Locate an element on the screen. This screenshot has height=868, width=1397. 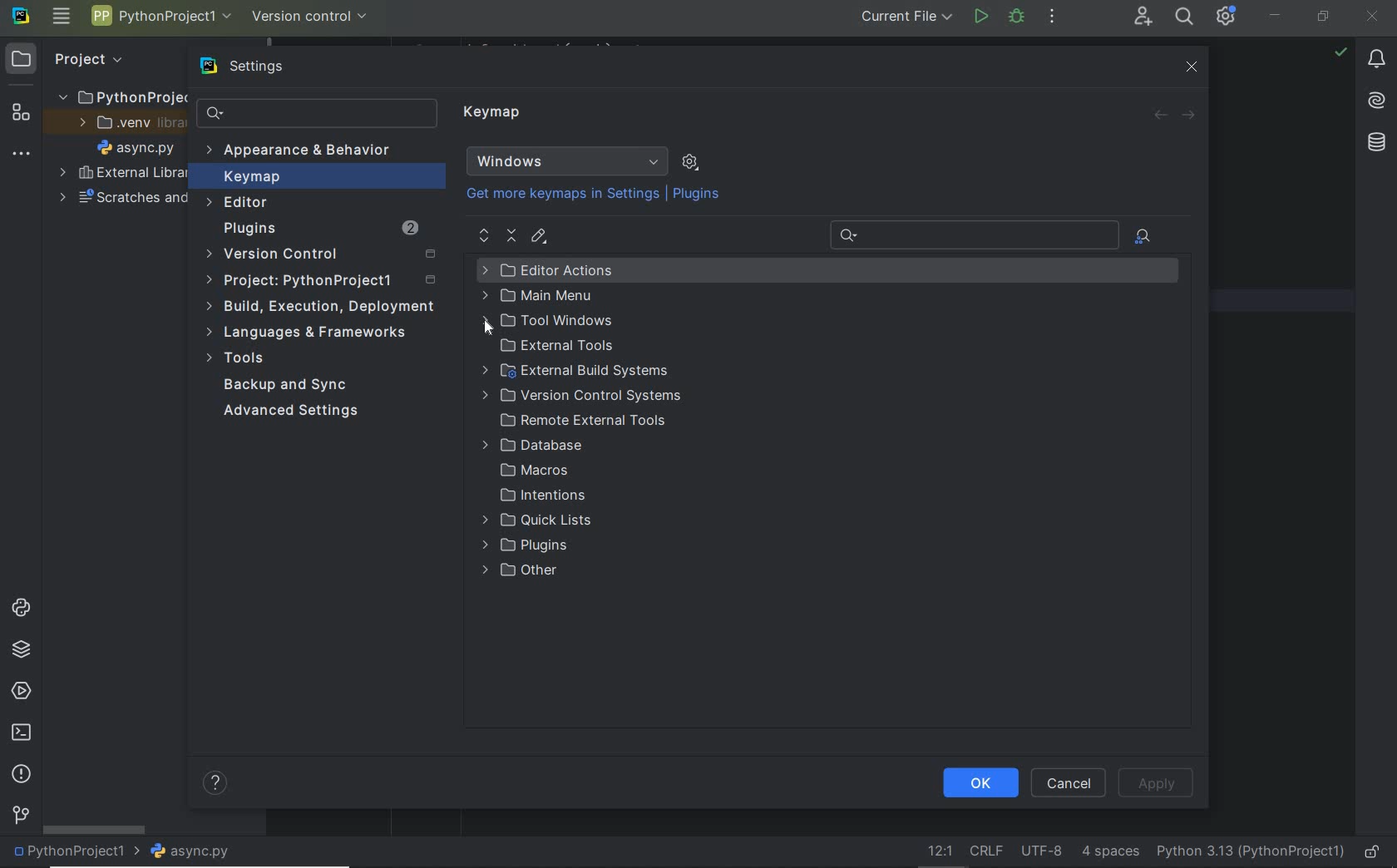
Apply is located at coordinates (1156, 782).